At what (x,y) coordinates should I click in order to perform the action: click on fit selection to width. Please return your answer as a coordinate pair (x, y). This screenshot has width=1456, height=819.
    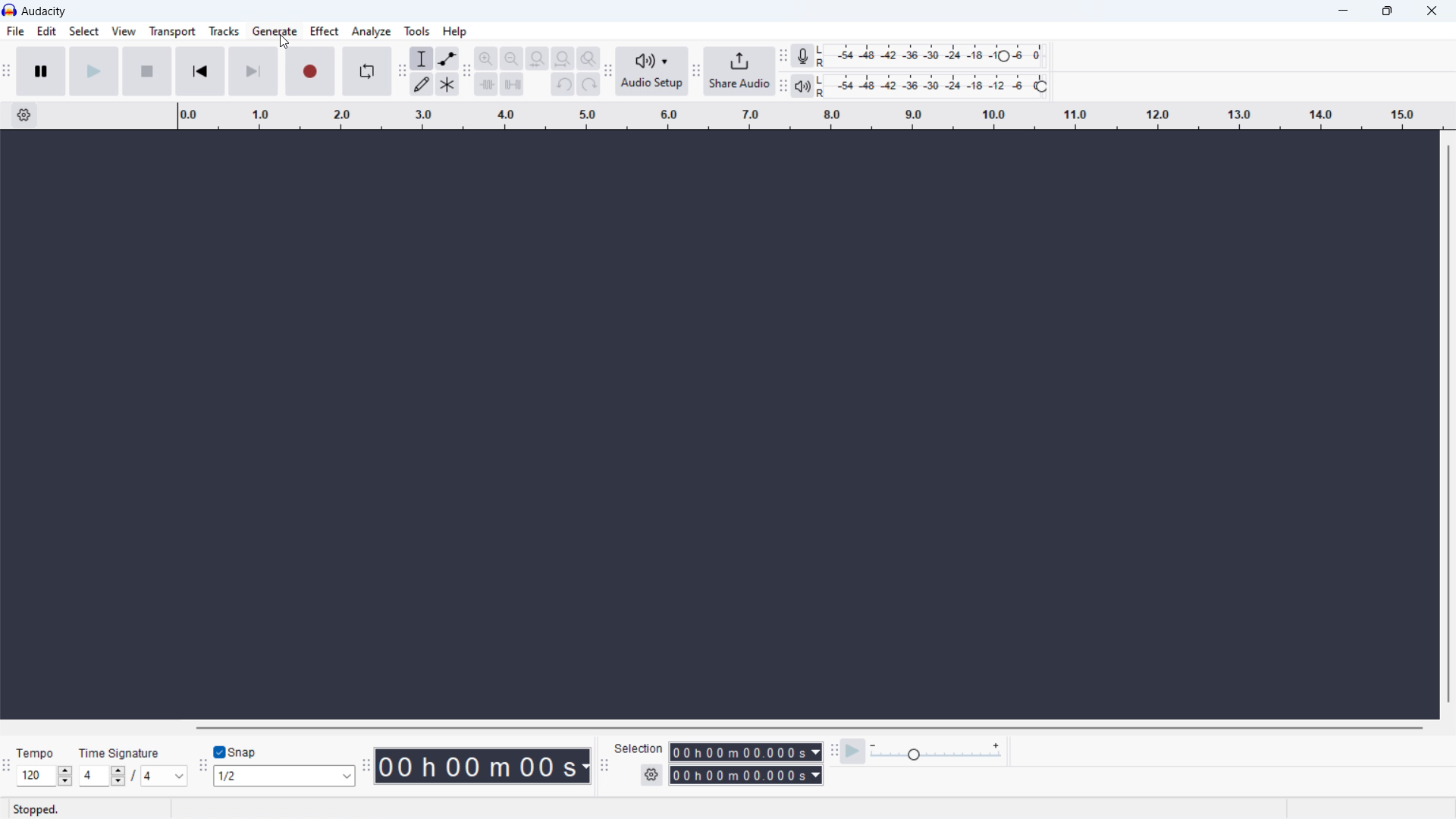
    Looking at the image, I should click on (538, 58).